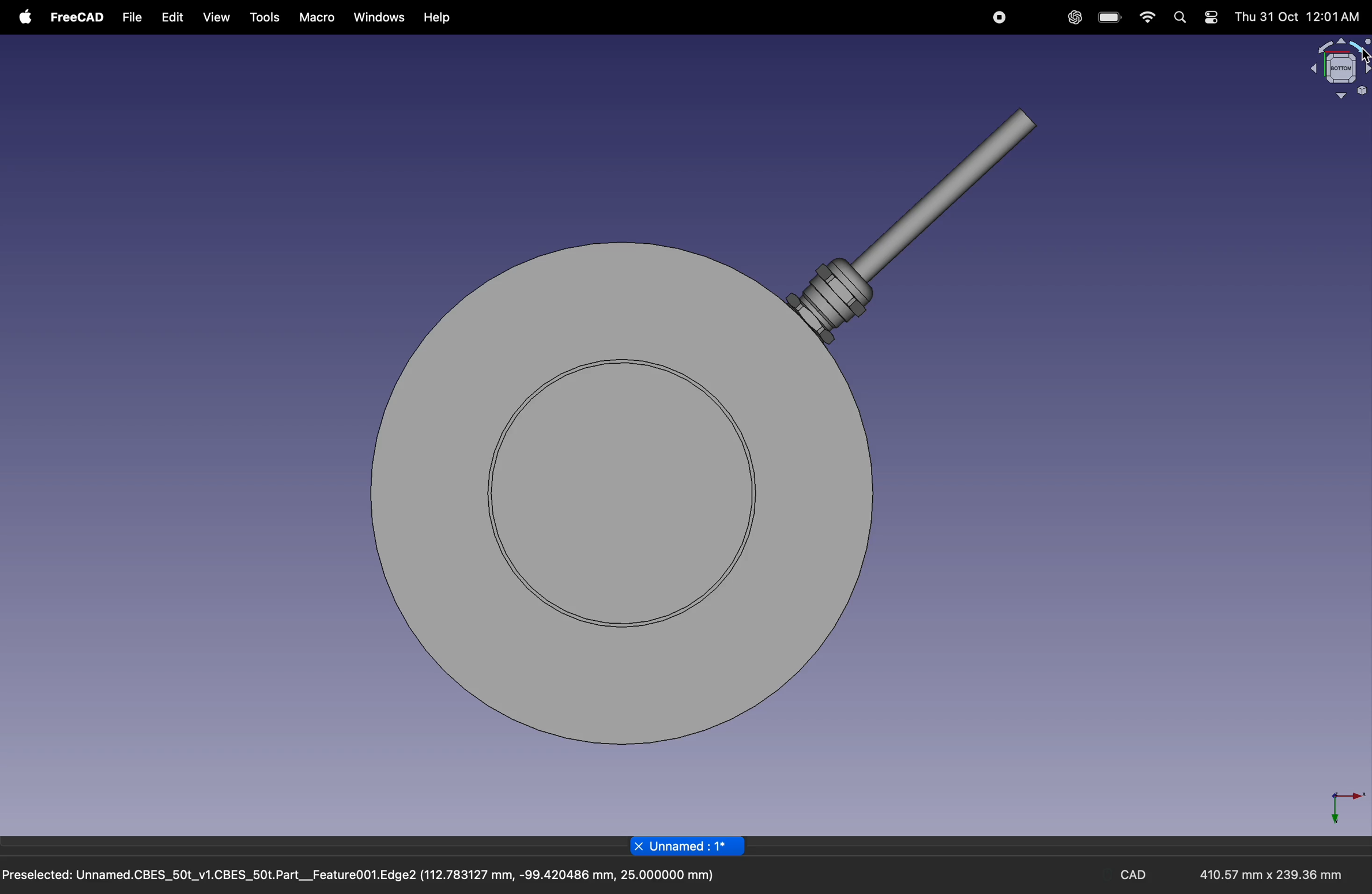 This screenshot has width=1372, height=894. I want to click on record, so click(1000, 18).